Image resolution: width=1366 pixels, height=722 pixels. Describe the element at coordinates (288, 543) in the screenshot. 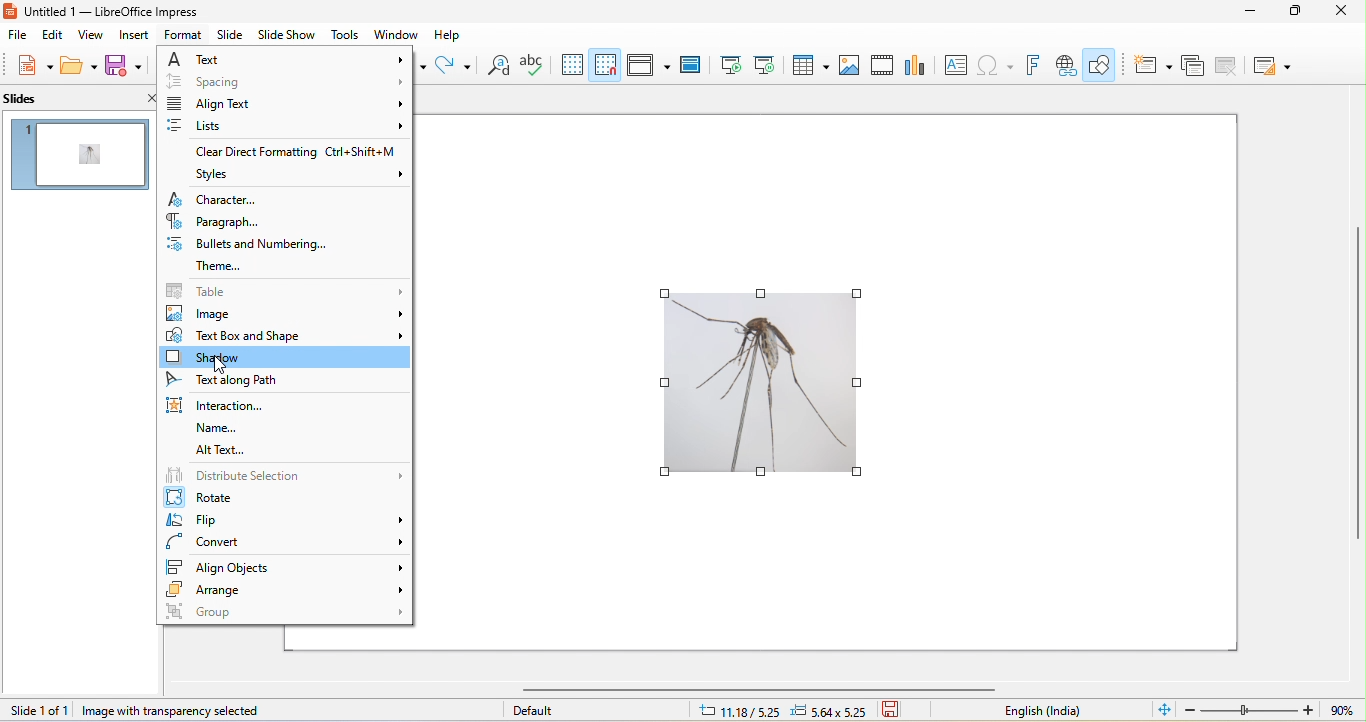

I see `convert` at that location.